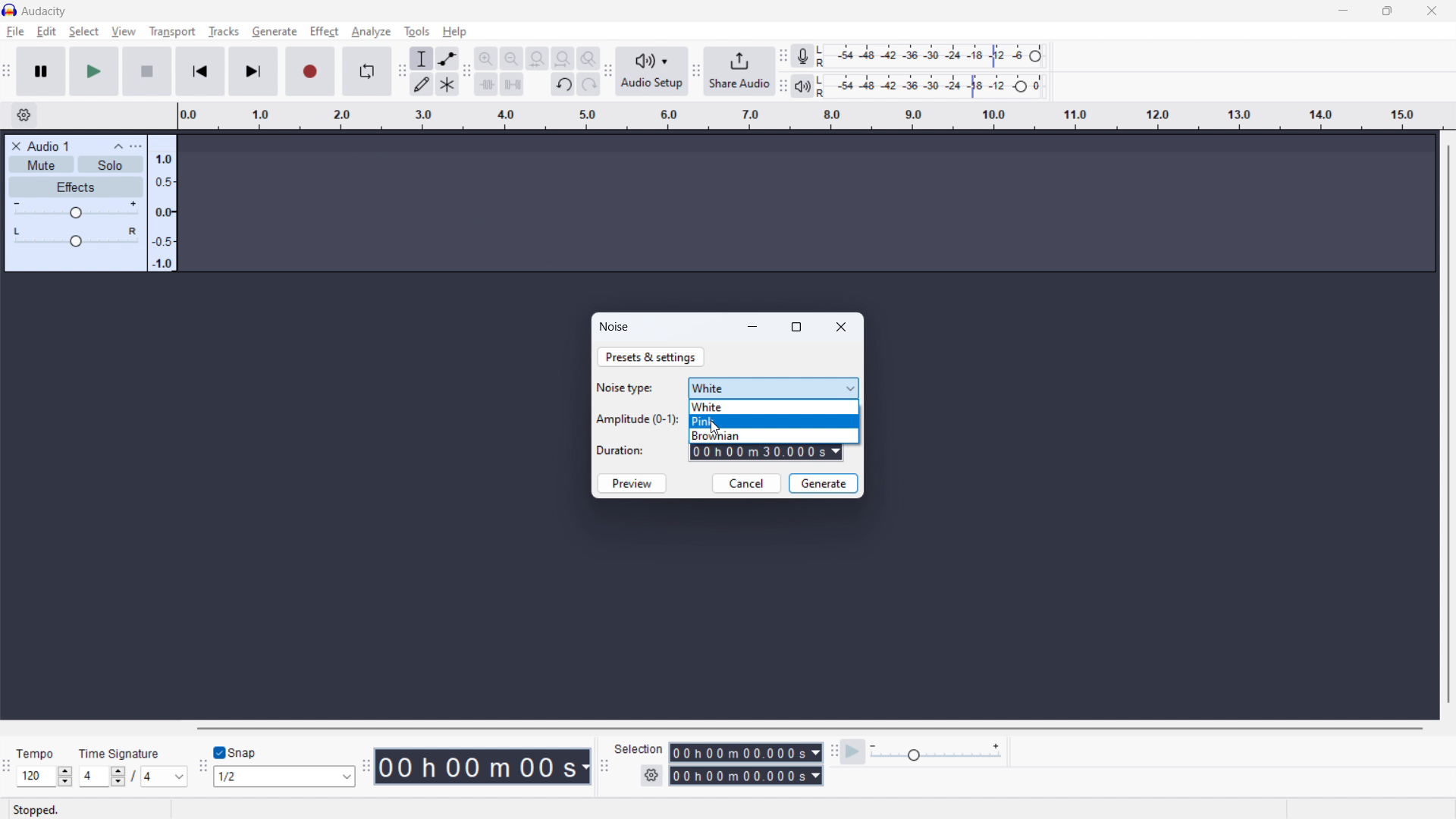 Image resolution: width=1456 pixels, height=819 pixels. I want to click on amplitude, so click(162, 204).